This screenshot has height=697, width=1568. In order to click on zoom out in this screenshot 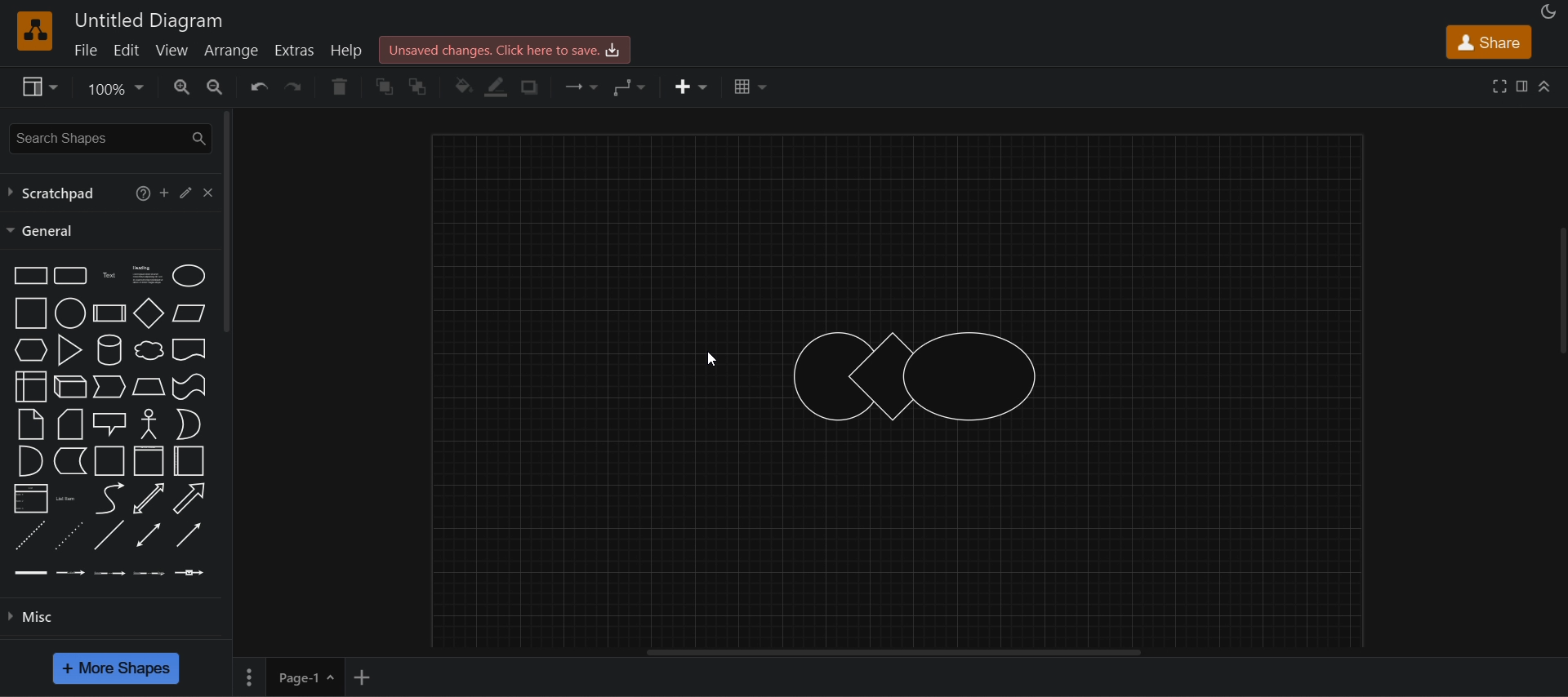, I will do `click(213, 85)`.